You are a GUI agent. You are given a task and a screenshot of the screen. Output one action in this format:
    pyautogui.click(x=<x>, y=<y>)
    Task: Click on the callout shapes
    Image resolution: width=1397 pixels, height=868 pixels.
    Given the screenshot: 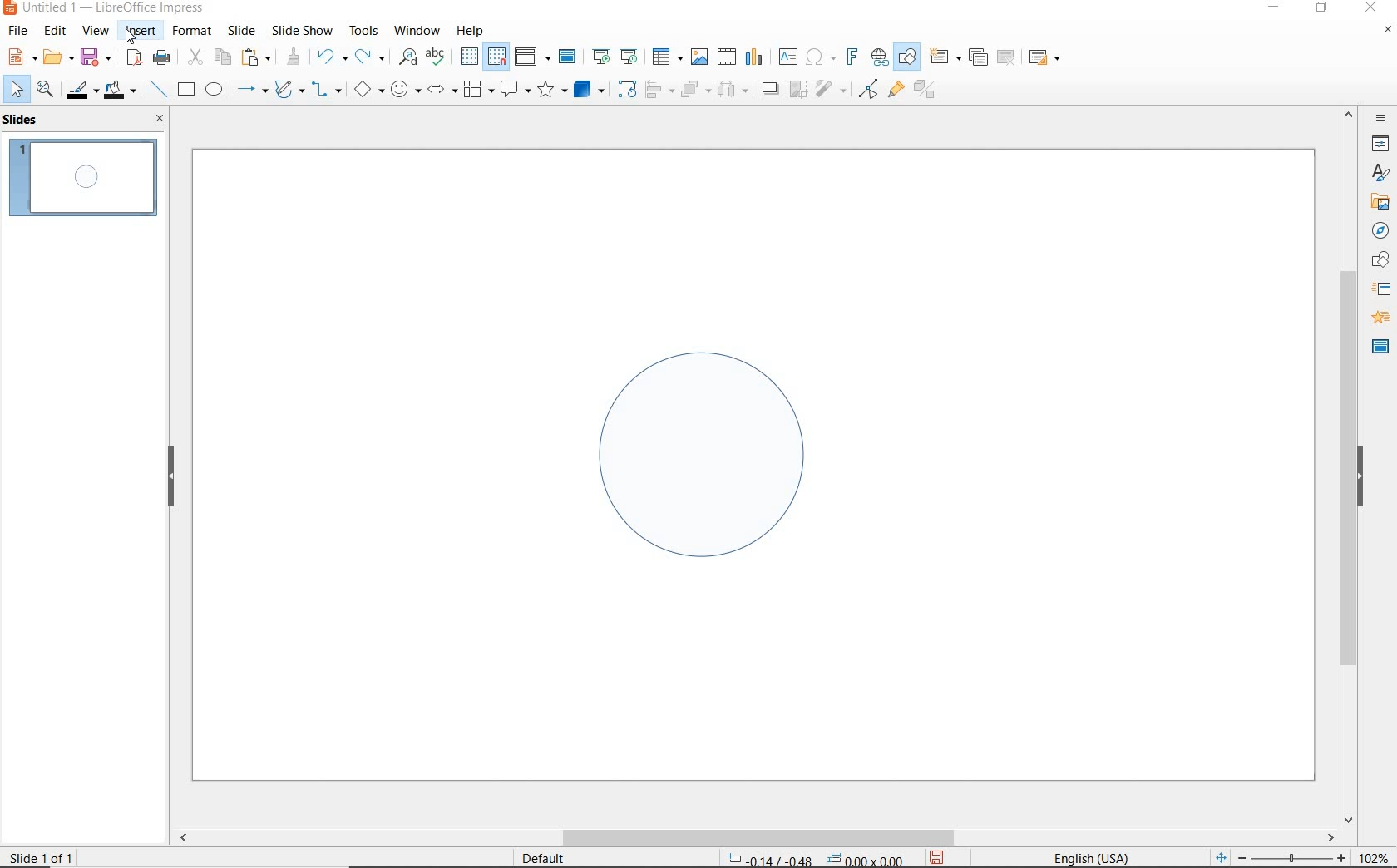 What is the action you would take?
    pyautogui.click(x=512, y=91)
    